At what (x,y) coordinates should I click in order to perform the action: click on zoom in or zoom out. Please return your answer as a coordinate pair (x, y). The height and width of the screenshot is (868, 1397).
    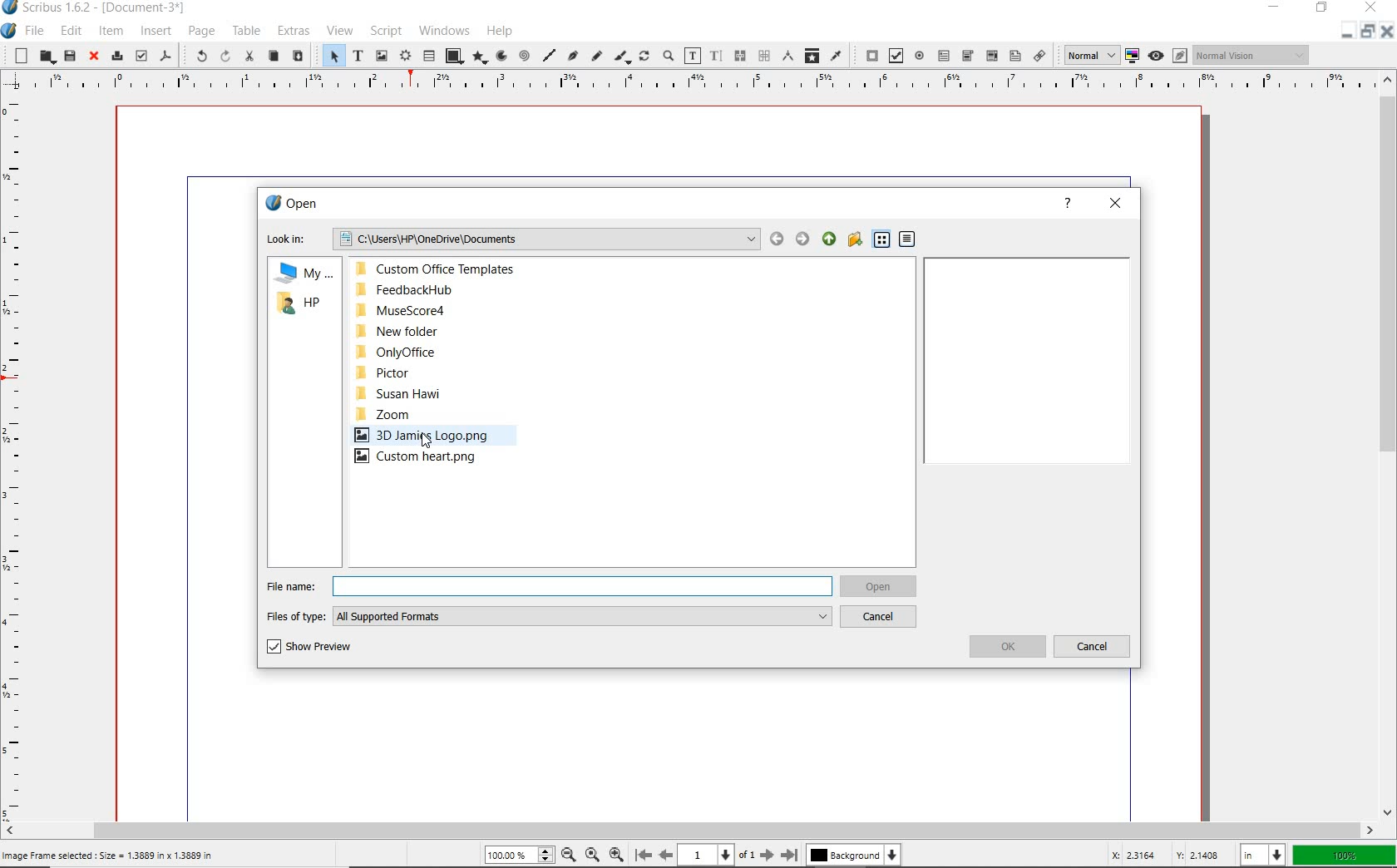
    Looking at the image, I should click on (668, 55).